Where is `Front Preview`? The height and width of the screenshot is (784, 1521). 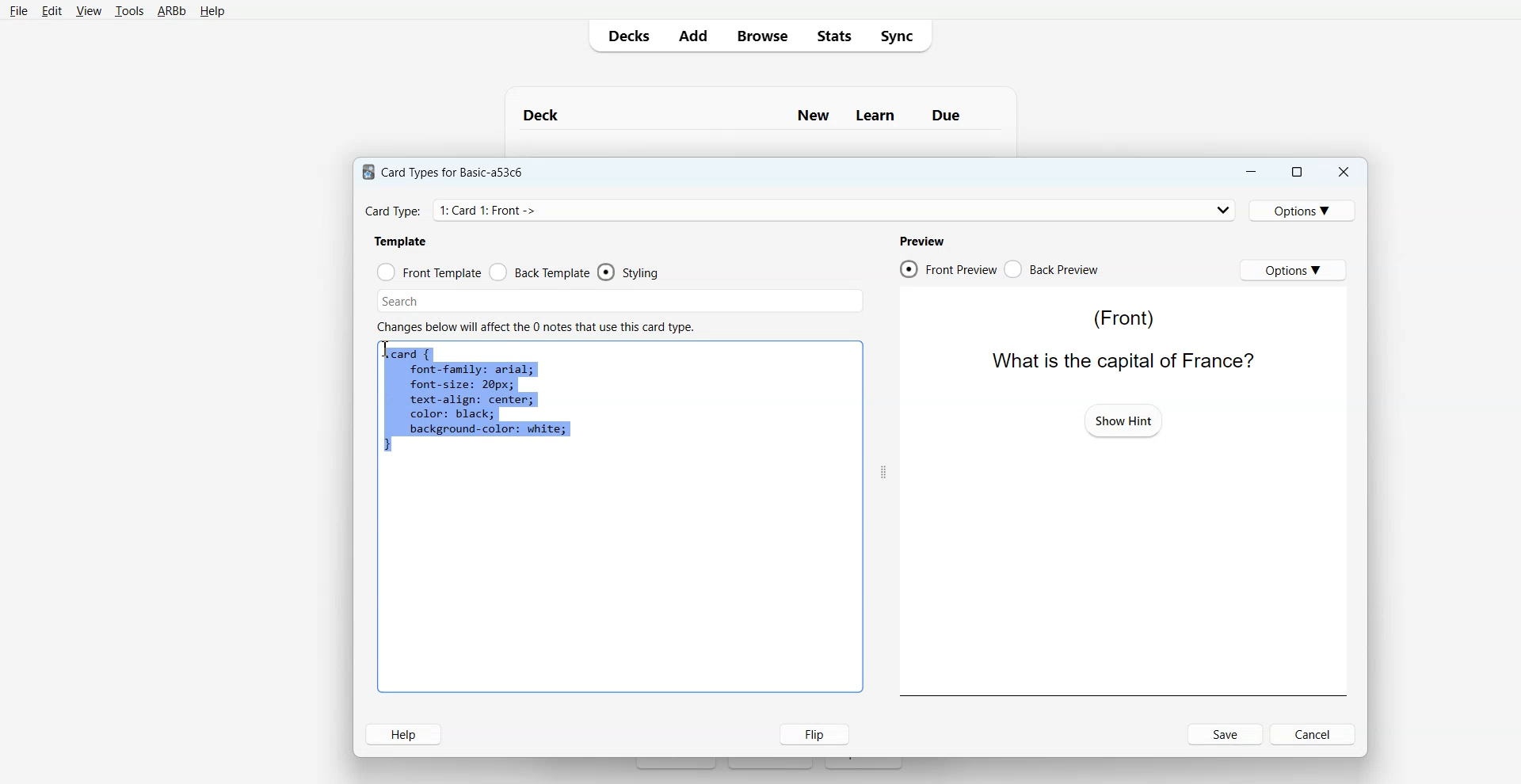
Front Preview is located at coordinates (947, 269).